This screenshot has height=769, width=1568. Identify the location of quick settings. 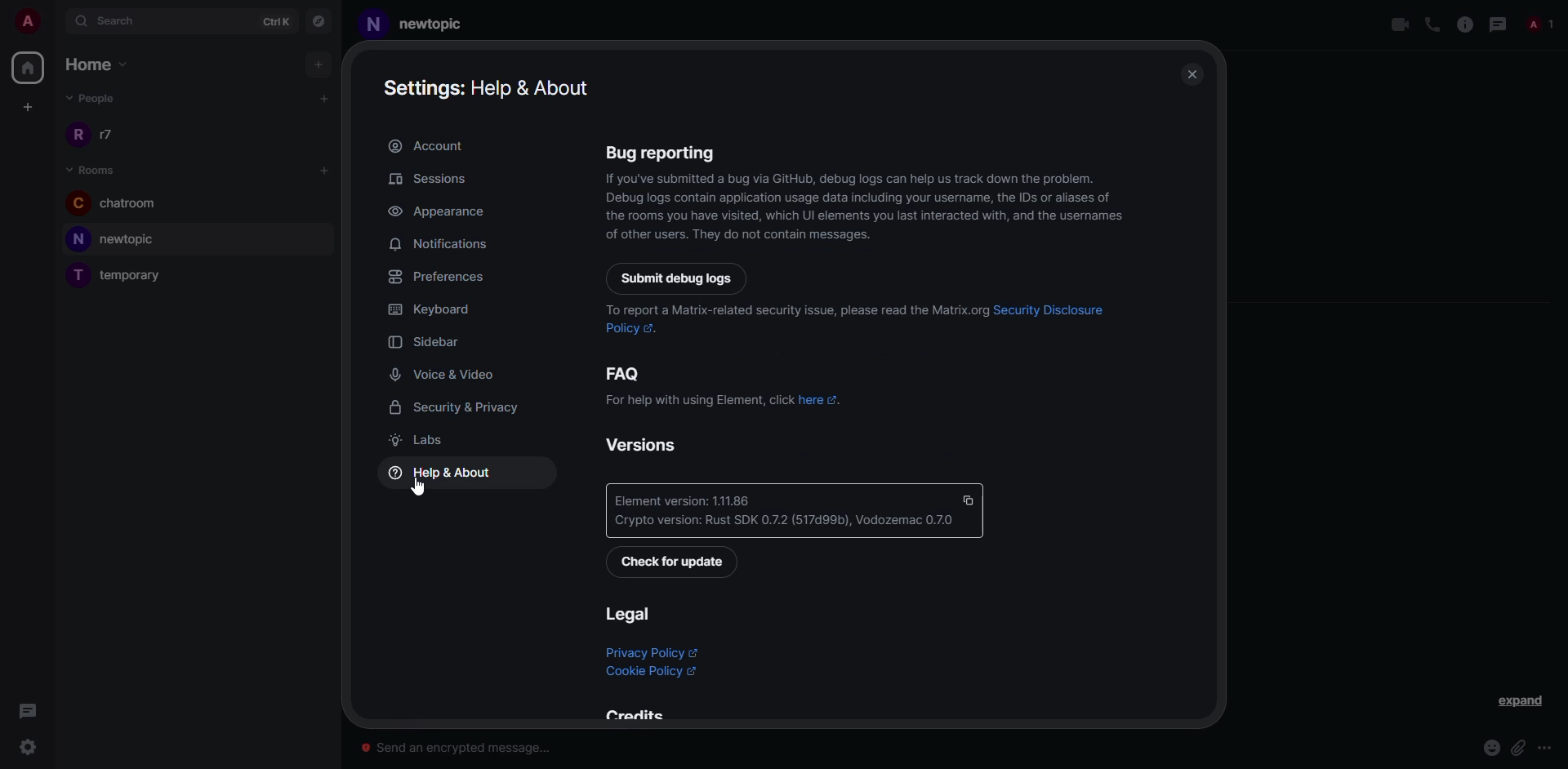
(87, 746).